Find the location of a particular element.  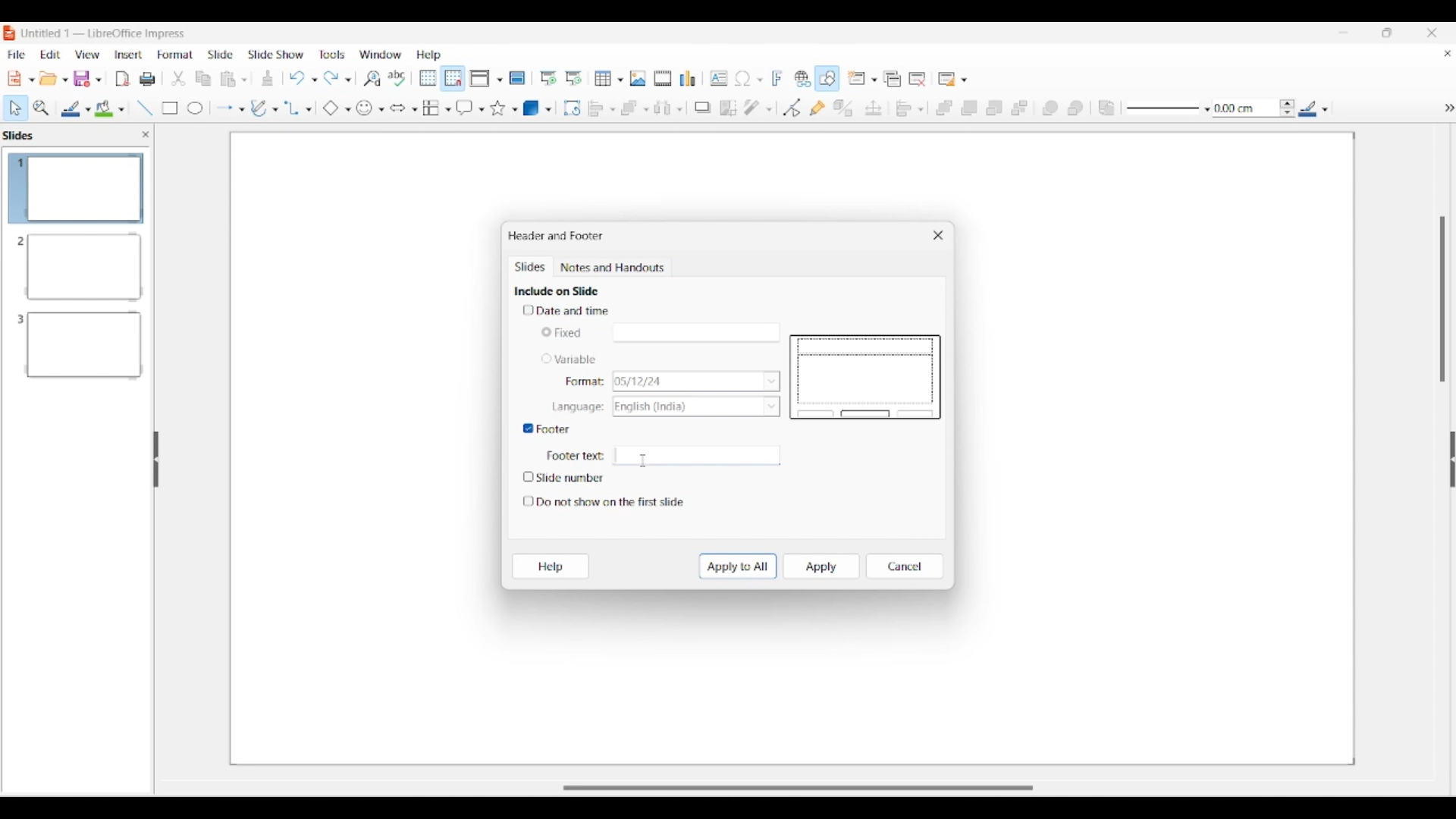

Spell check is located at coordinates (397, 78).